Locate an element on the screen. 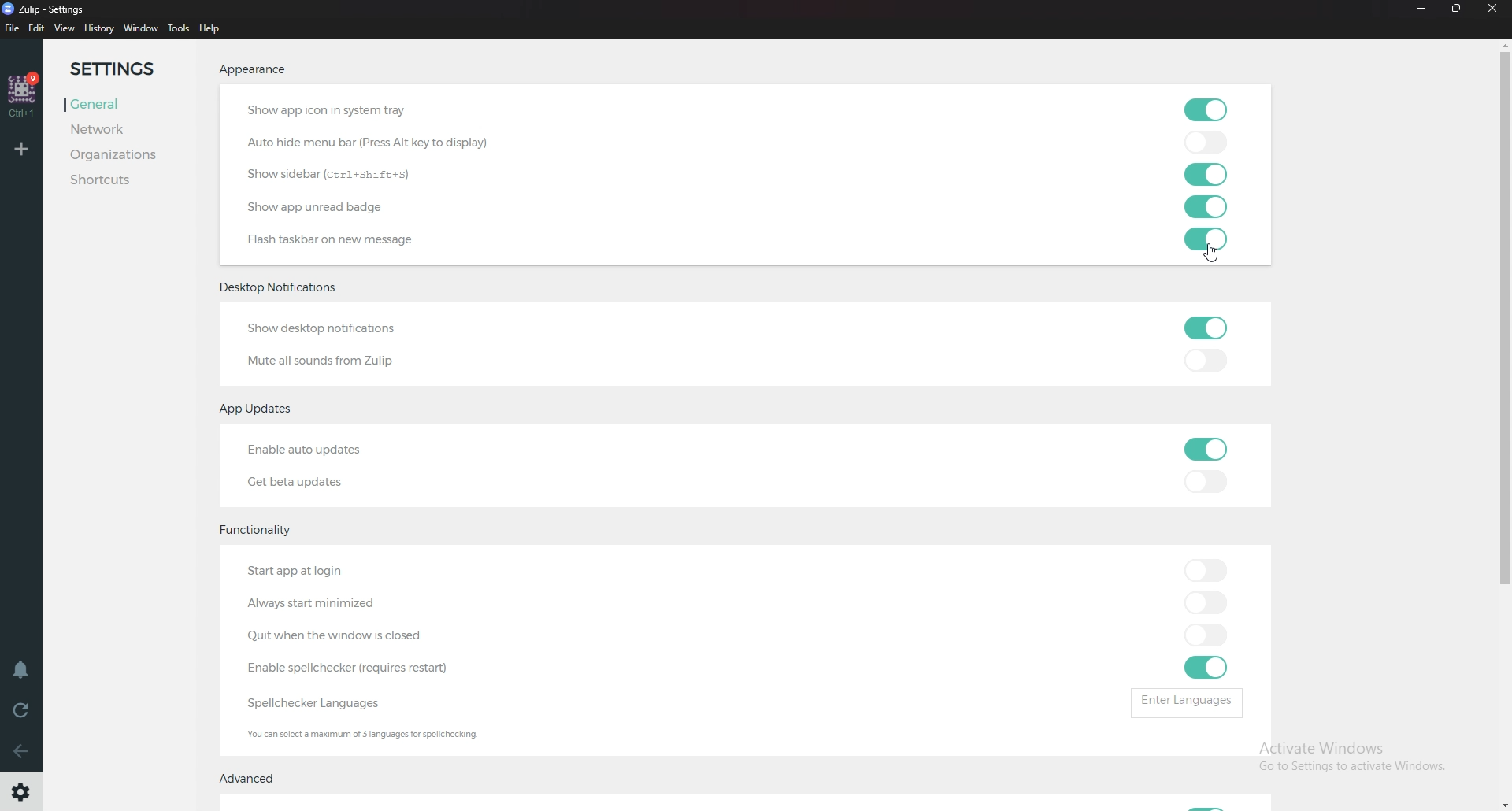  Functionality is located at coordinates (257, 531).